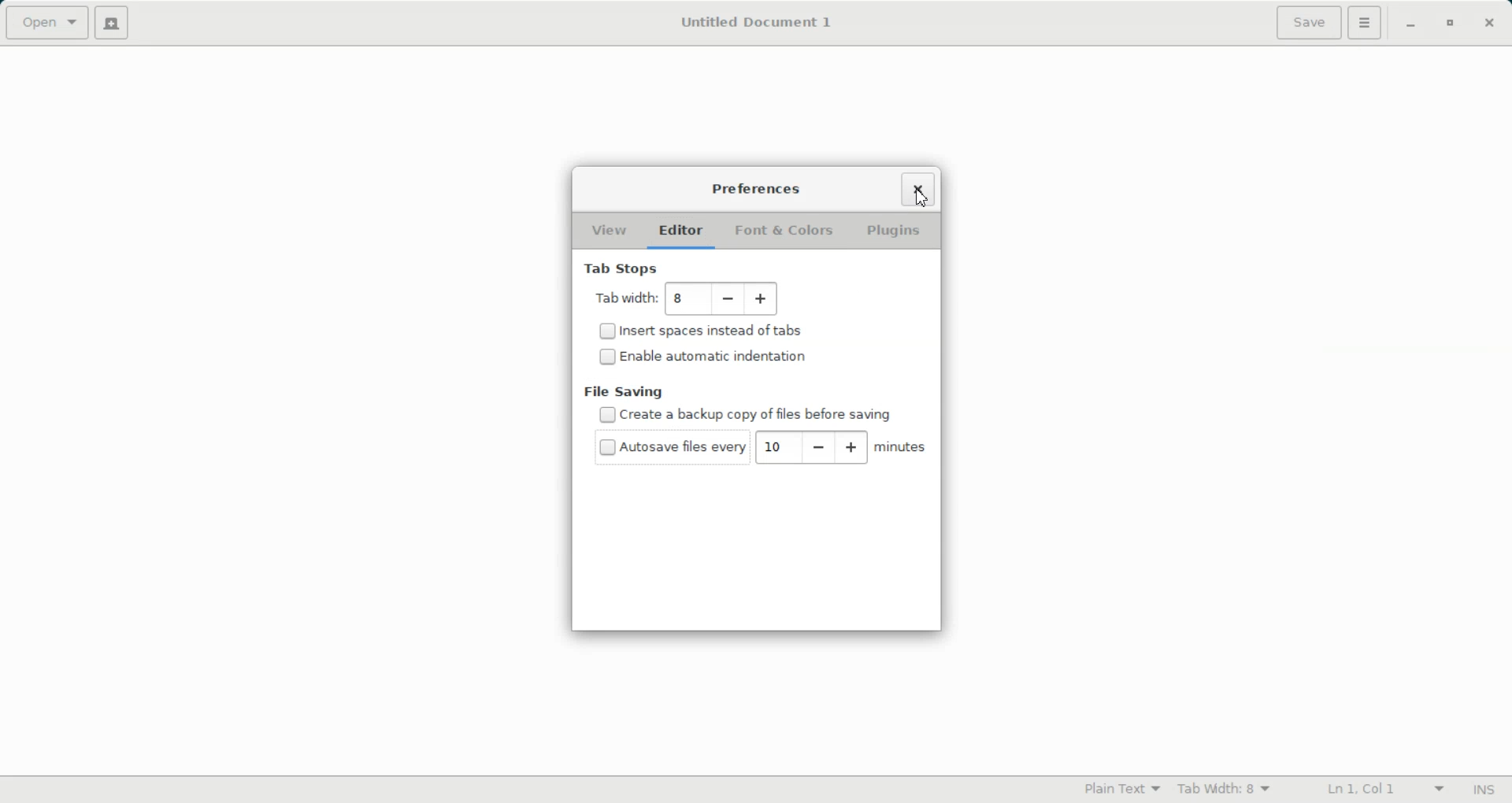 The image size is (1512, 803). Describe the element at coordinates (666, 447) in the screenshot. I see `(un)check Autosave file every 10 minutes saved` at that location.